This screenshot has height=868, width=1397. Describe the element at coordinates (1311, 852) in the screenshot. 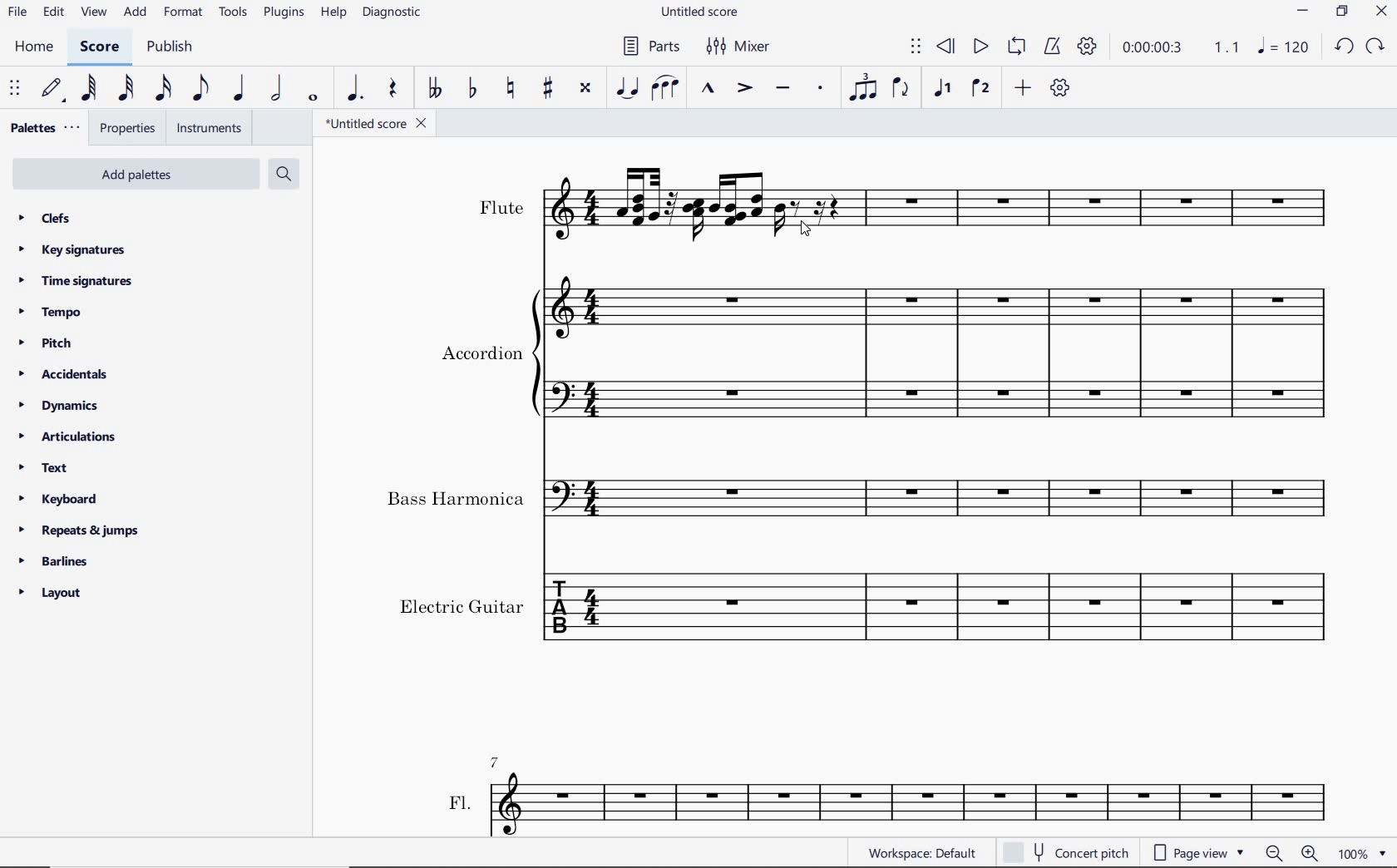

I see `ZOOM IN` at that location.